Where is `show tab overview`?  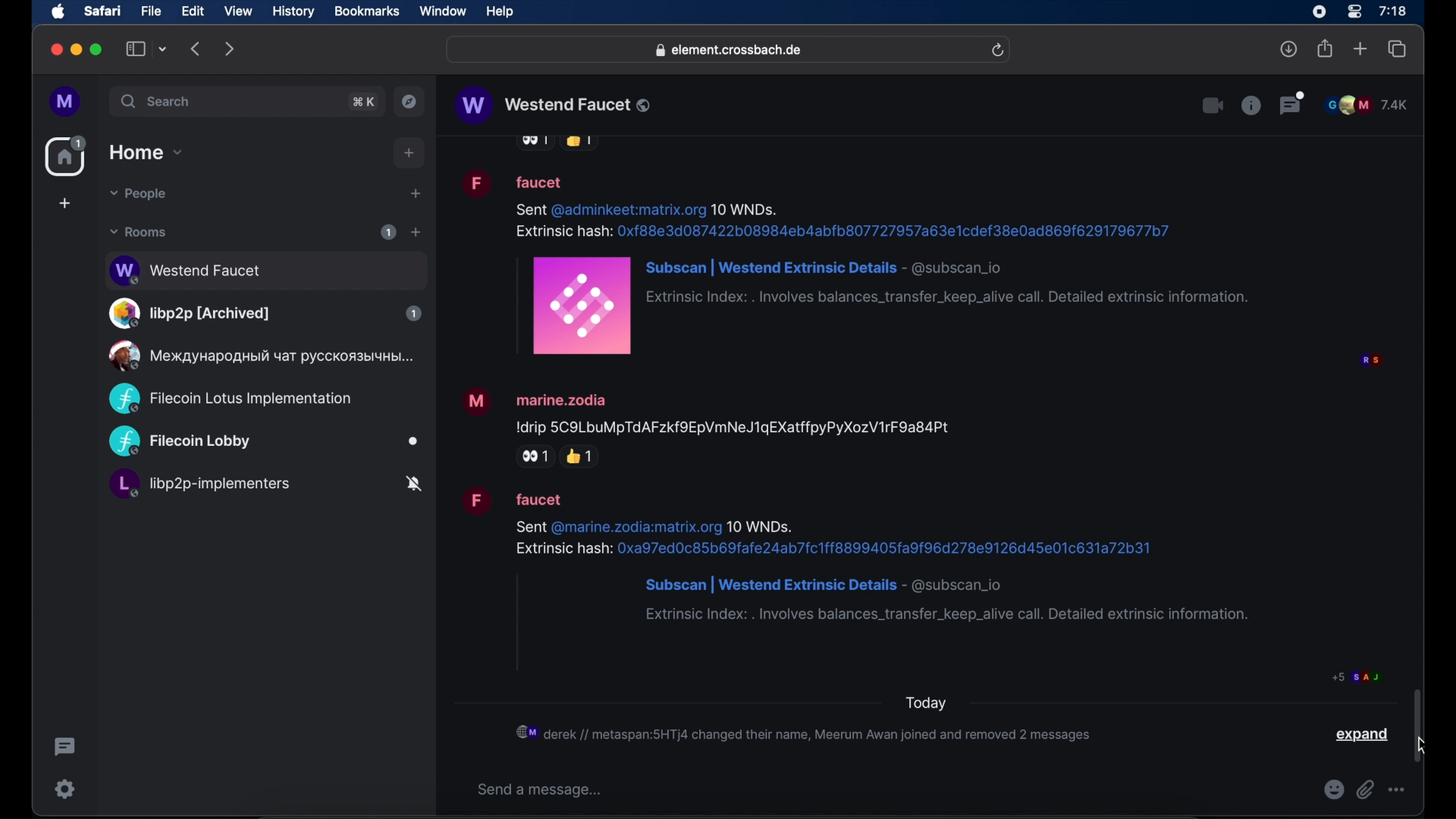 show tab overview is located at coordinates (1398, 49).